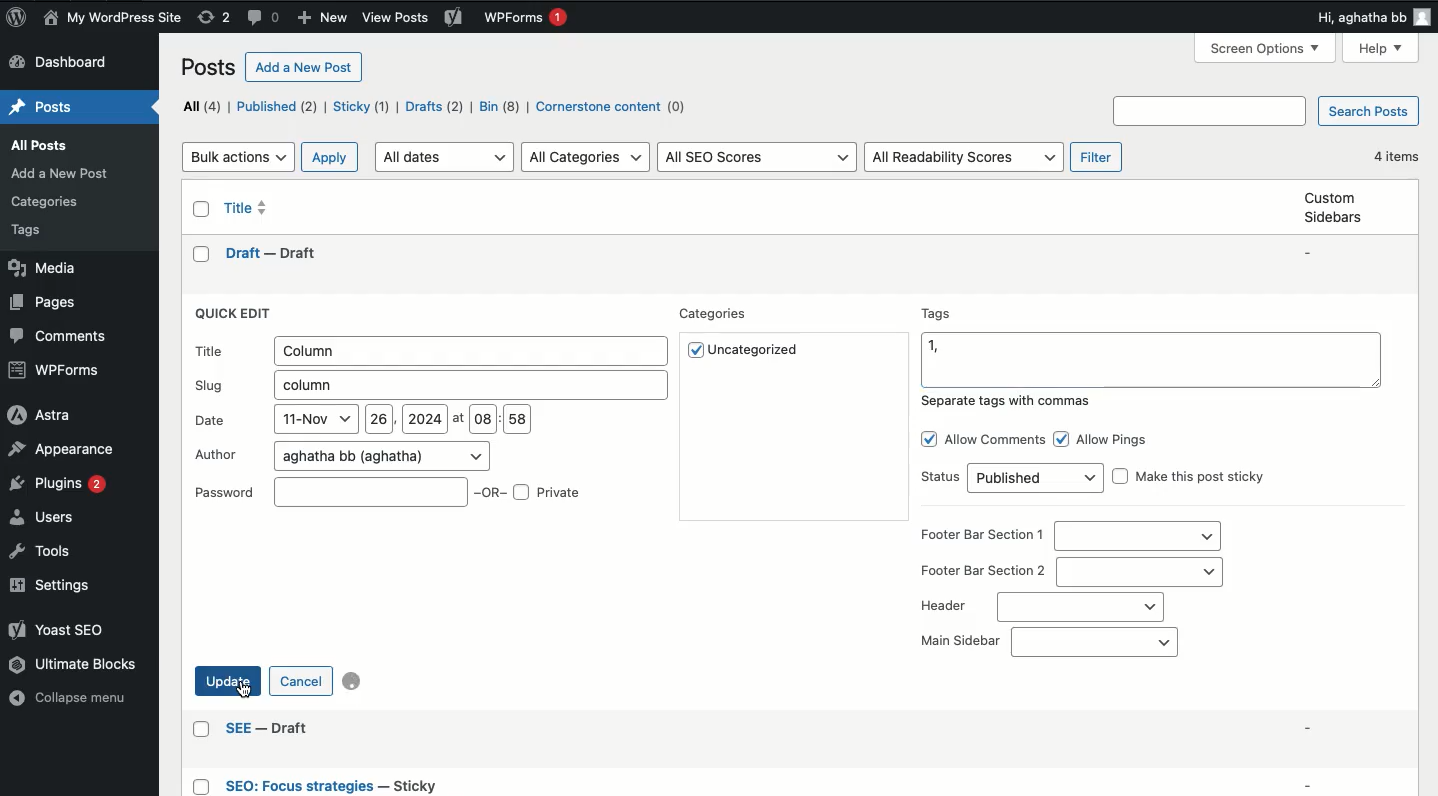 Image resolution: width=1438 pixels, height=796 pixels. I want to click on Allow comments, so click(985, 441).